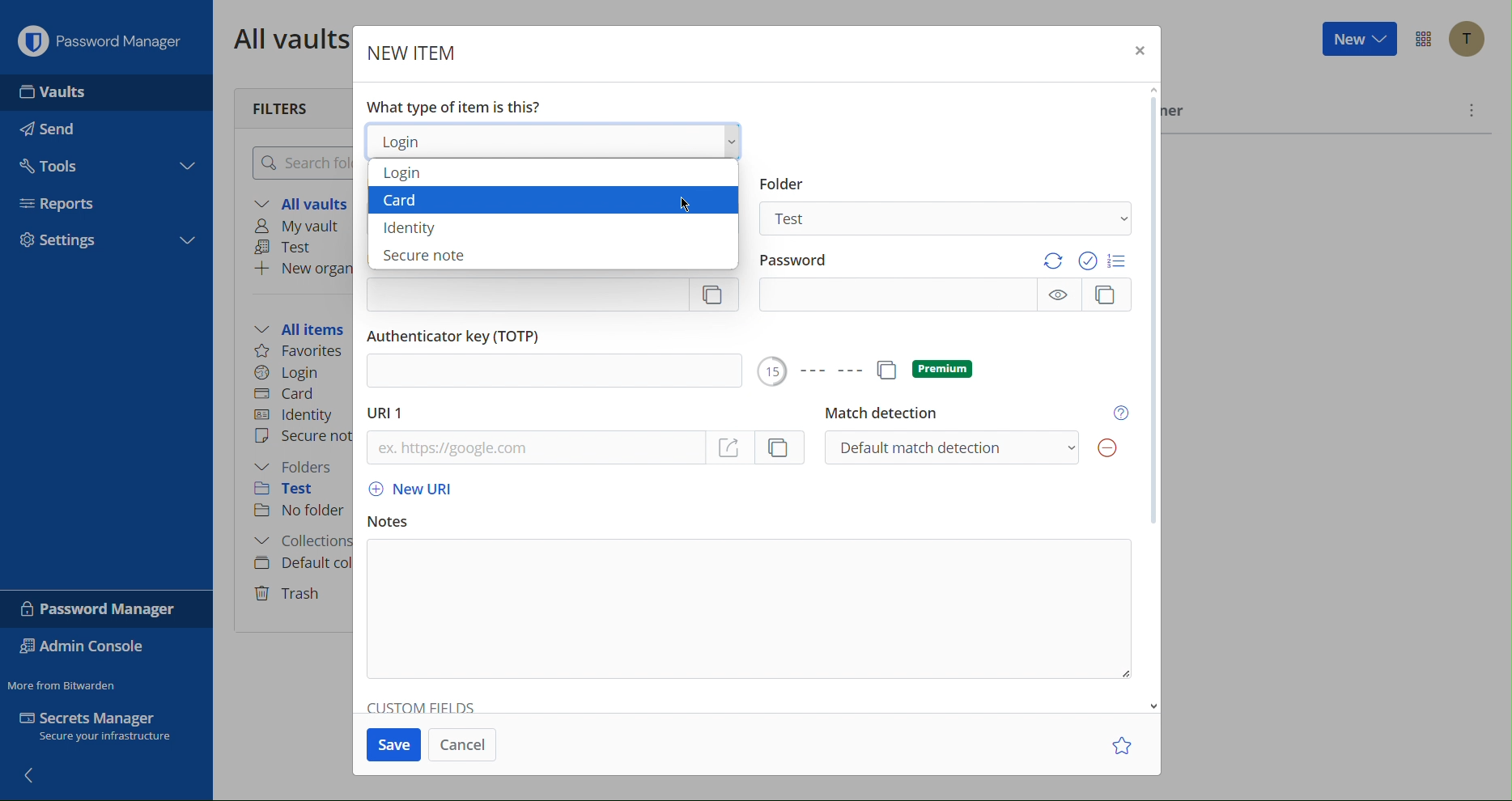  Describe the element at coordinates (1123, 744) in the screenshot. I see `Star` at that location.